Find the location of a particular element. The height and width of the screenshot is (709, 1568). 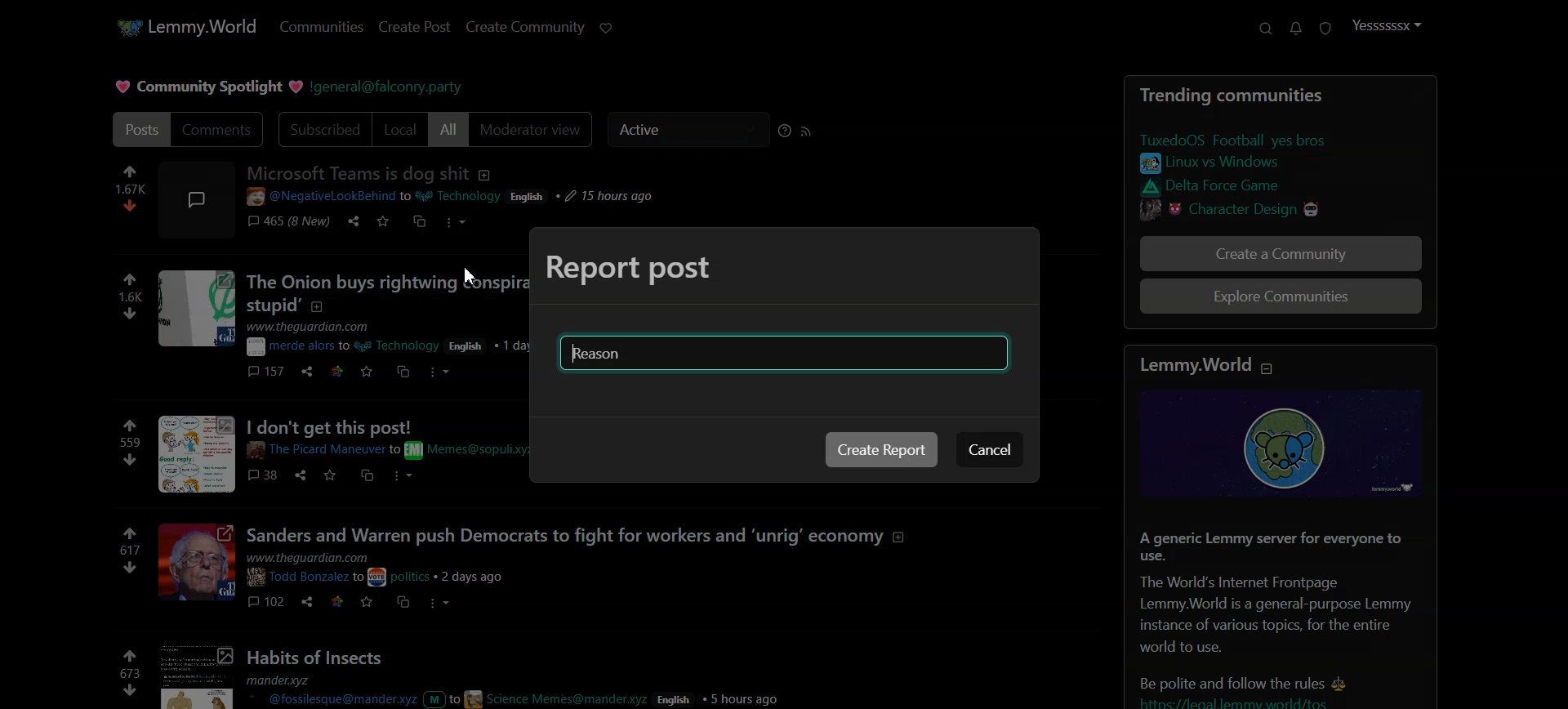

save is located at coordinates (367, 372).